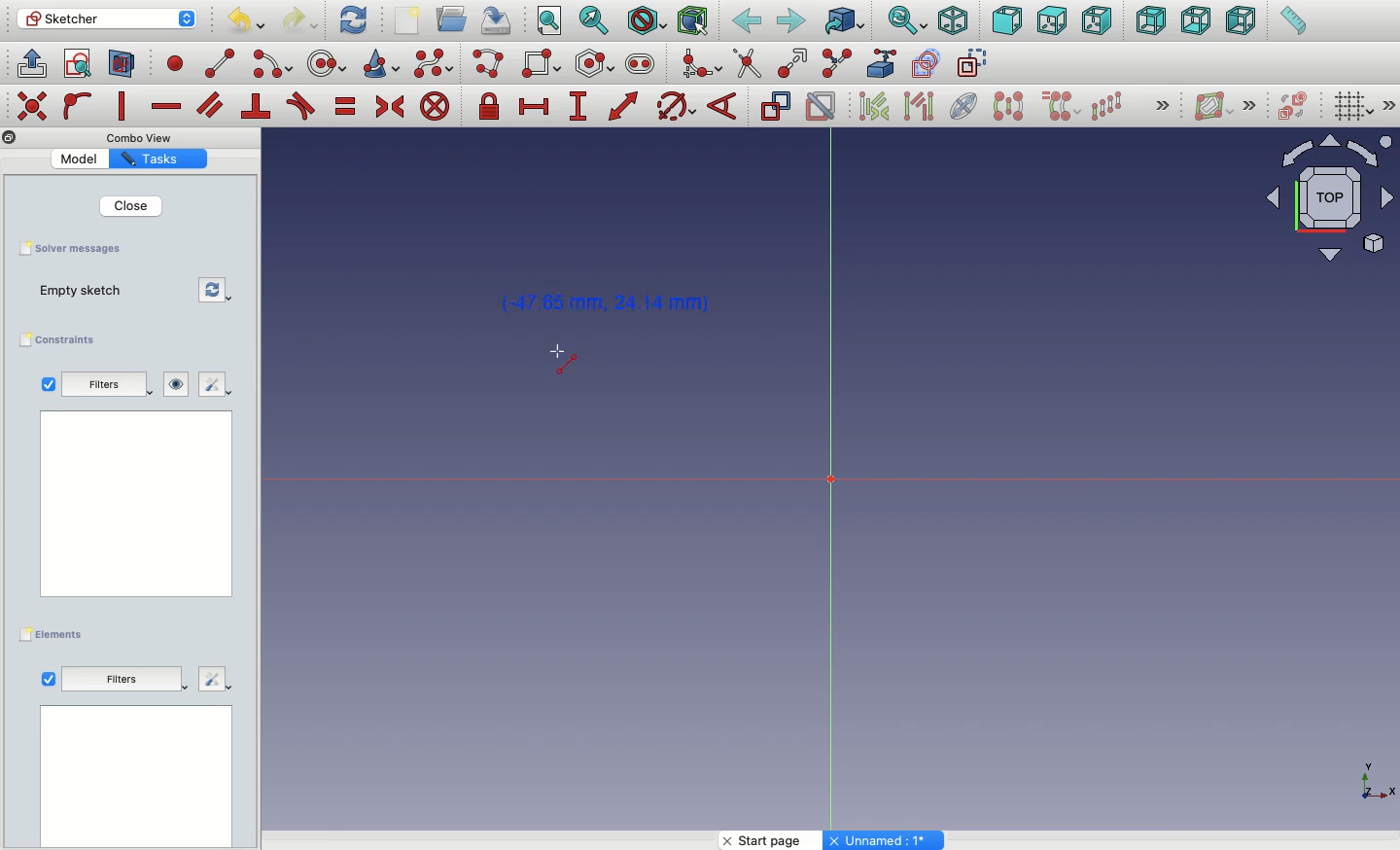 This screenshot has width=1400, height=850. What do you see at coordinates (1159, 104) in the screenshot?
I see `` at bounding box center [1159, 104].